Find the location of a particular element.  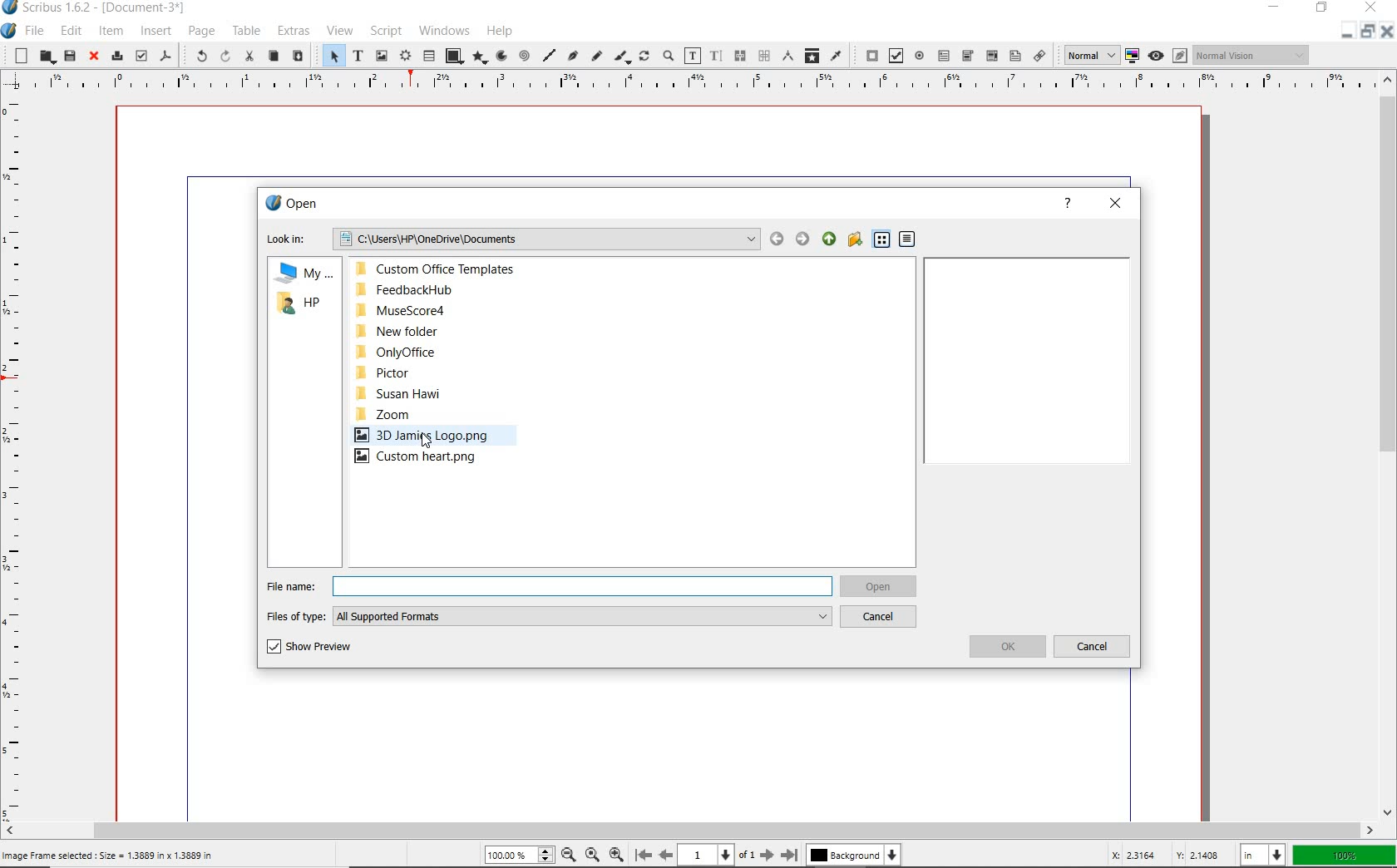

open is located at coordinates (47, 57).